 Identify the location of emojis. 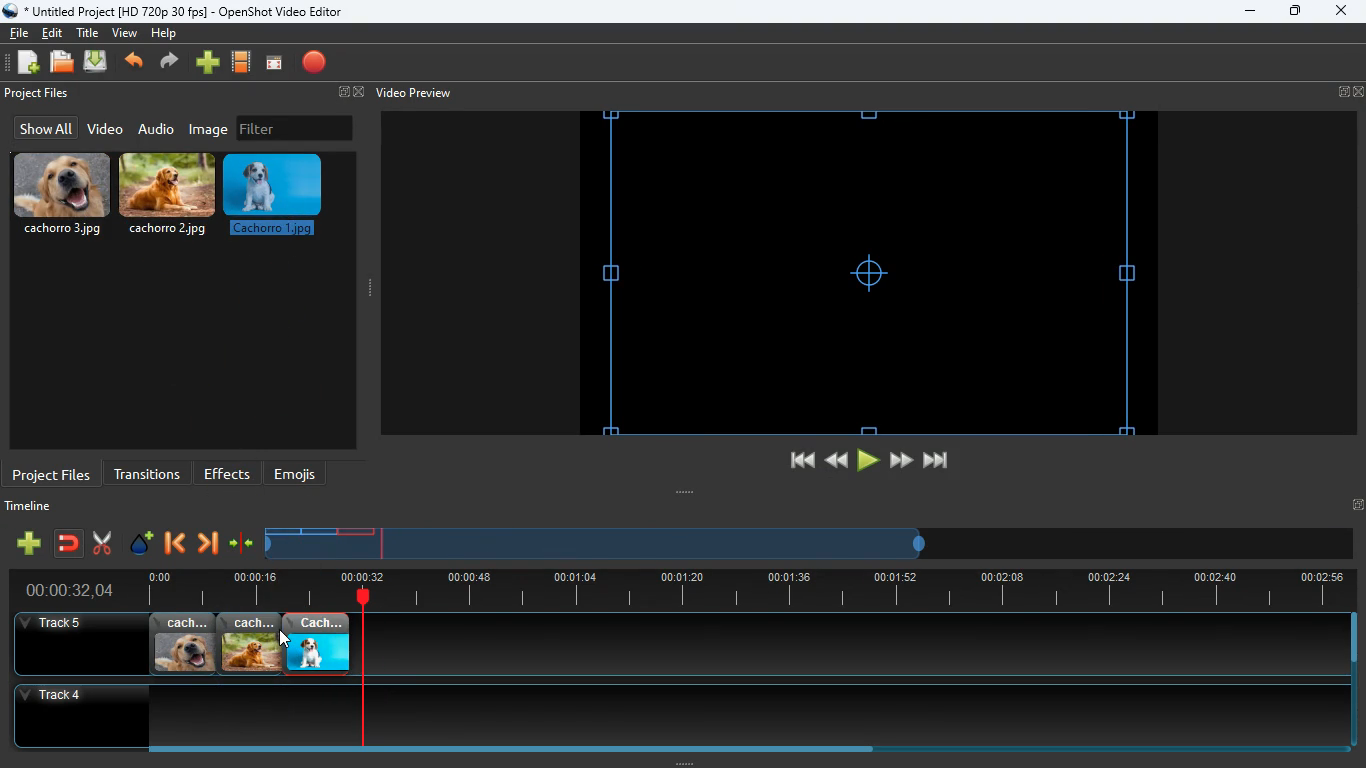
(300, 474).